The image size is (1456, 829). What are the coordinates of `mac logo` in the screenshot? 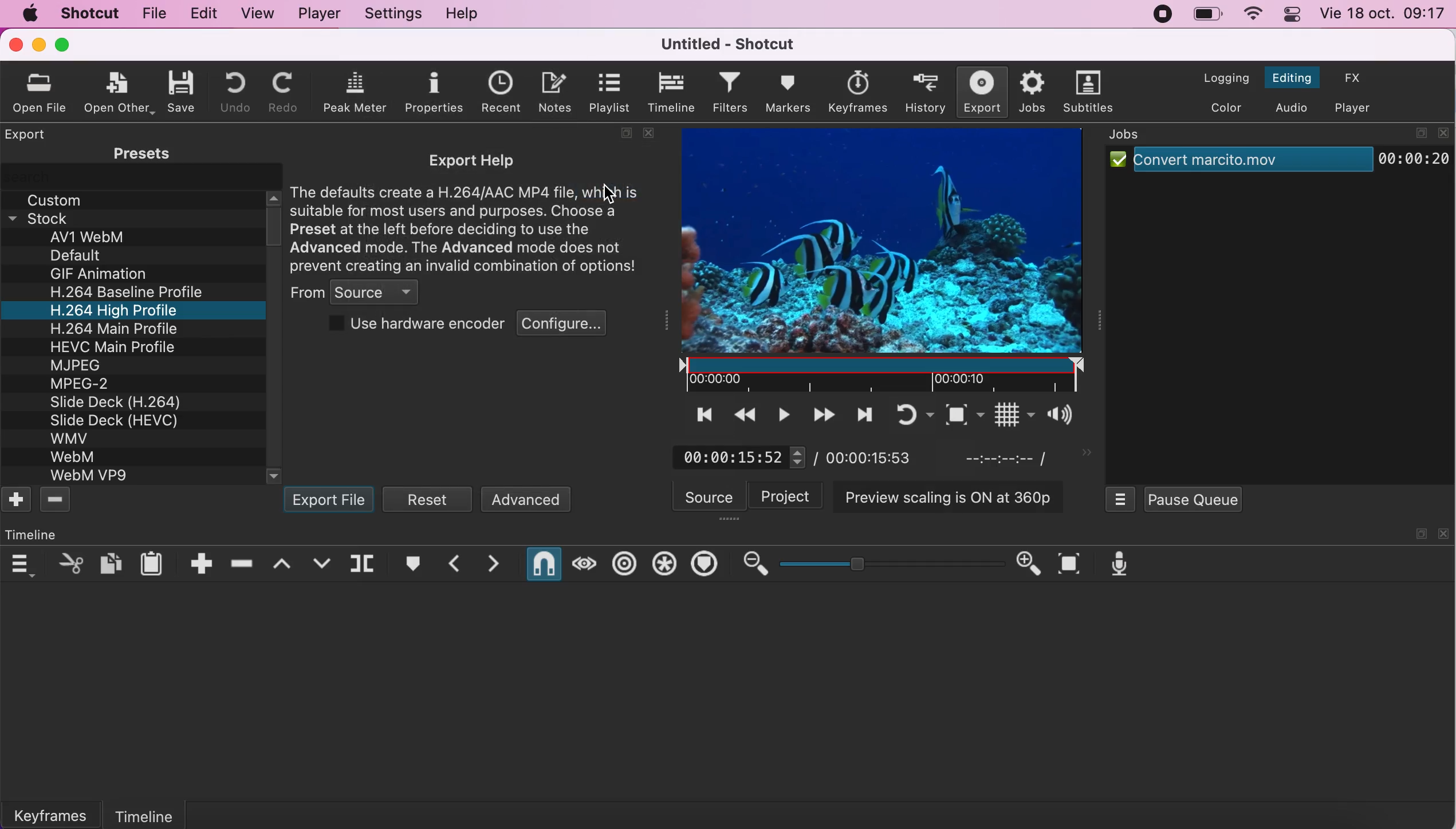 It's located at (26, 13).